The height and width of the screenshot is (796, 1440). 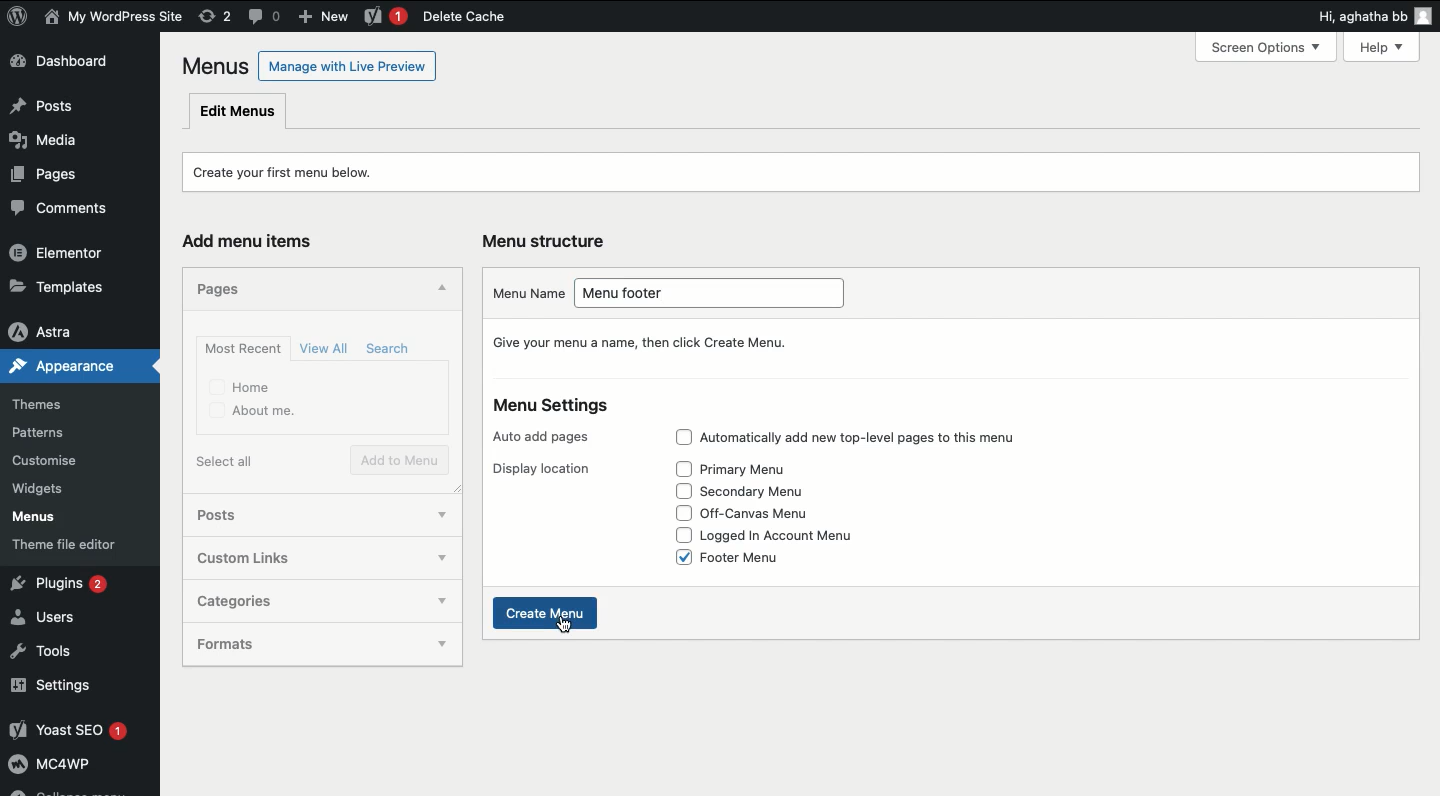 I want to click on Hi, agatha bb, so click(x=1358, y=19).